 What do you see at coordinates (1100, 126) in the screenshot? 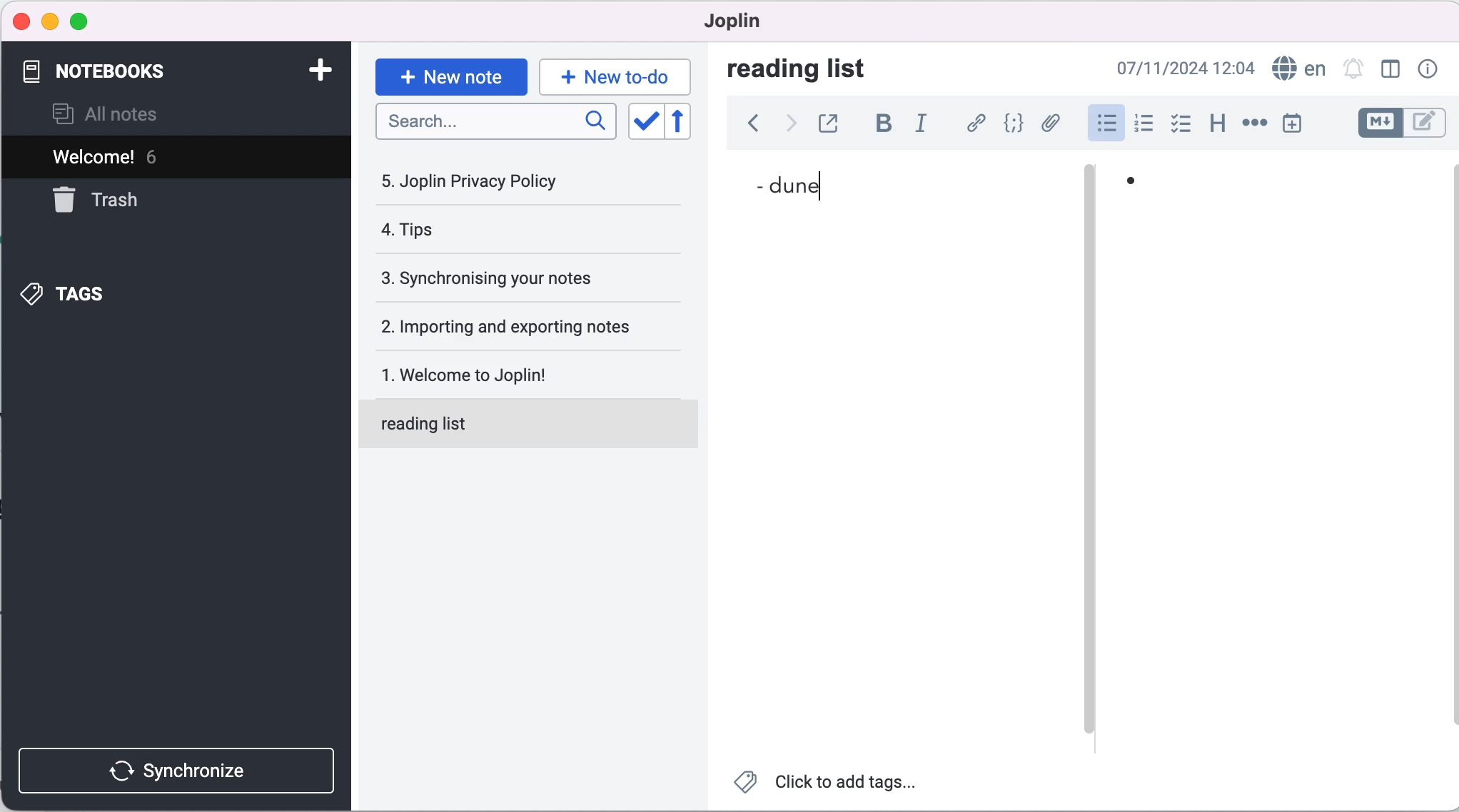
I see `bulleted list` at bounding box center [1100, 126].